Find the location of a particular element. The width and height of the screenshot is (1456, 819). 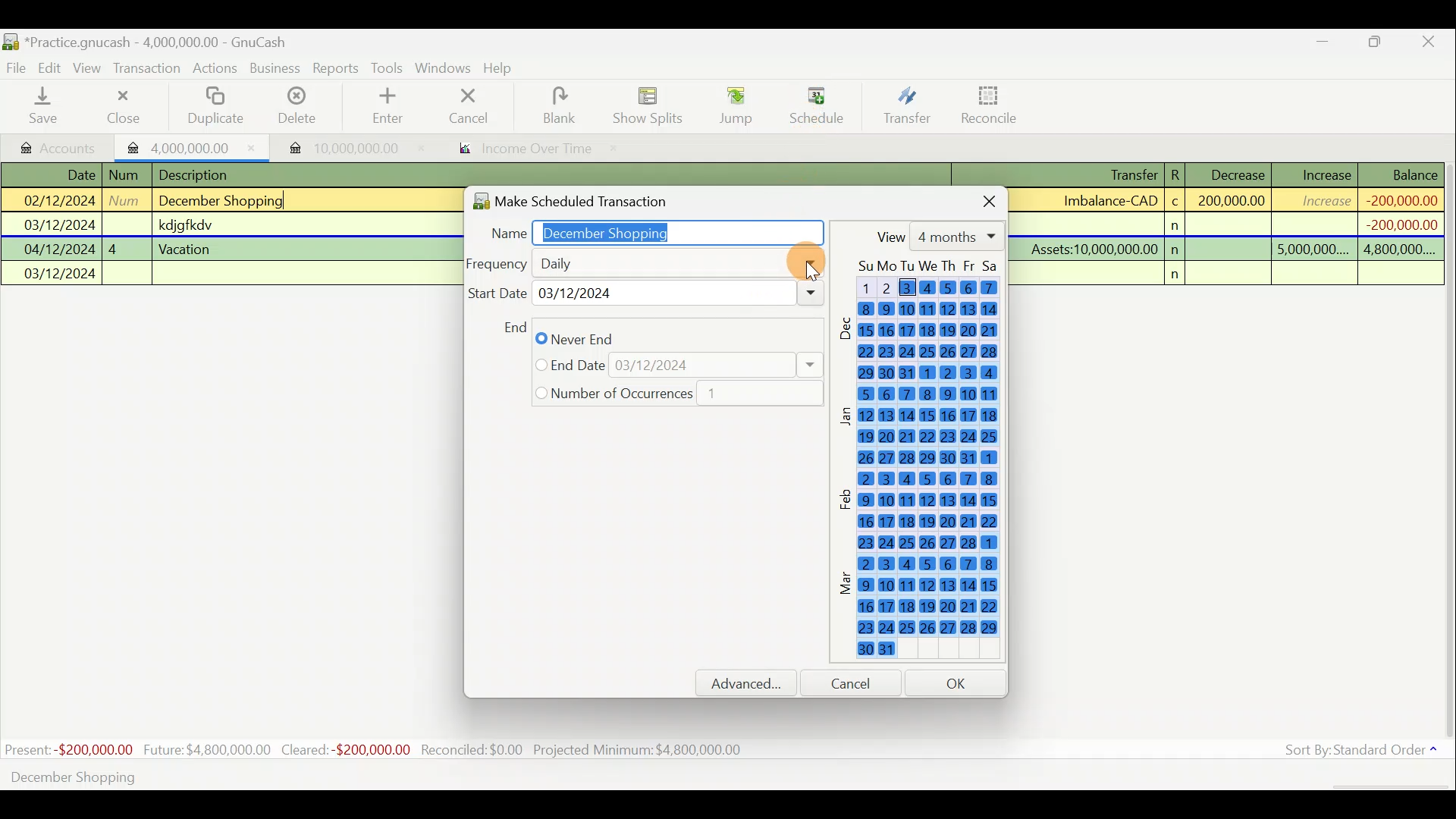

Close is located at coordinates (1429, 44).